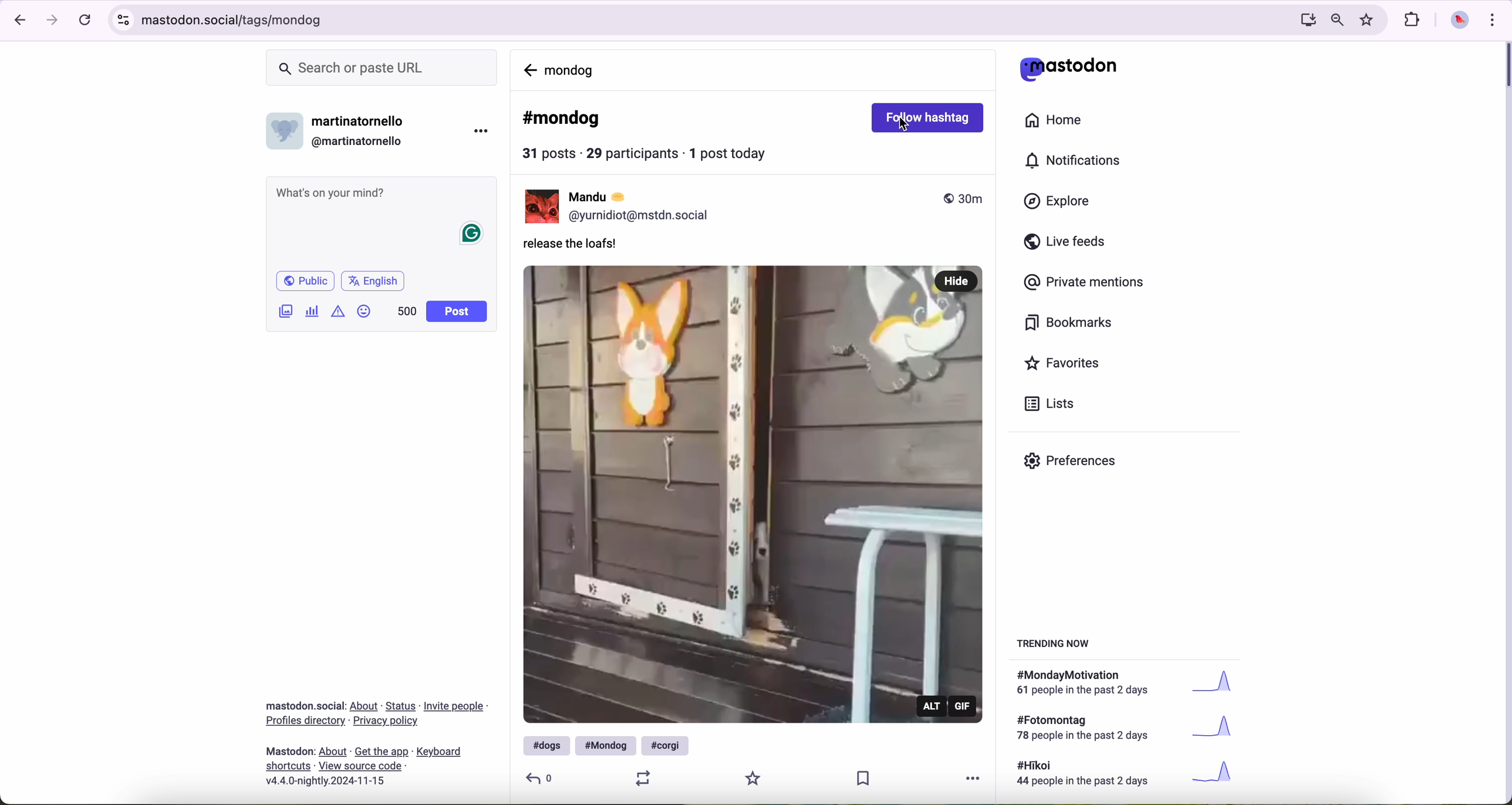  I want to click on gif, so click(753, 492).